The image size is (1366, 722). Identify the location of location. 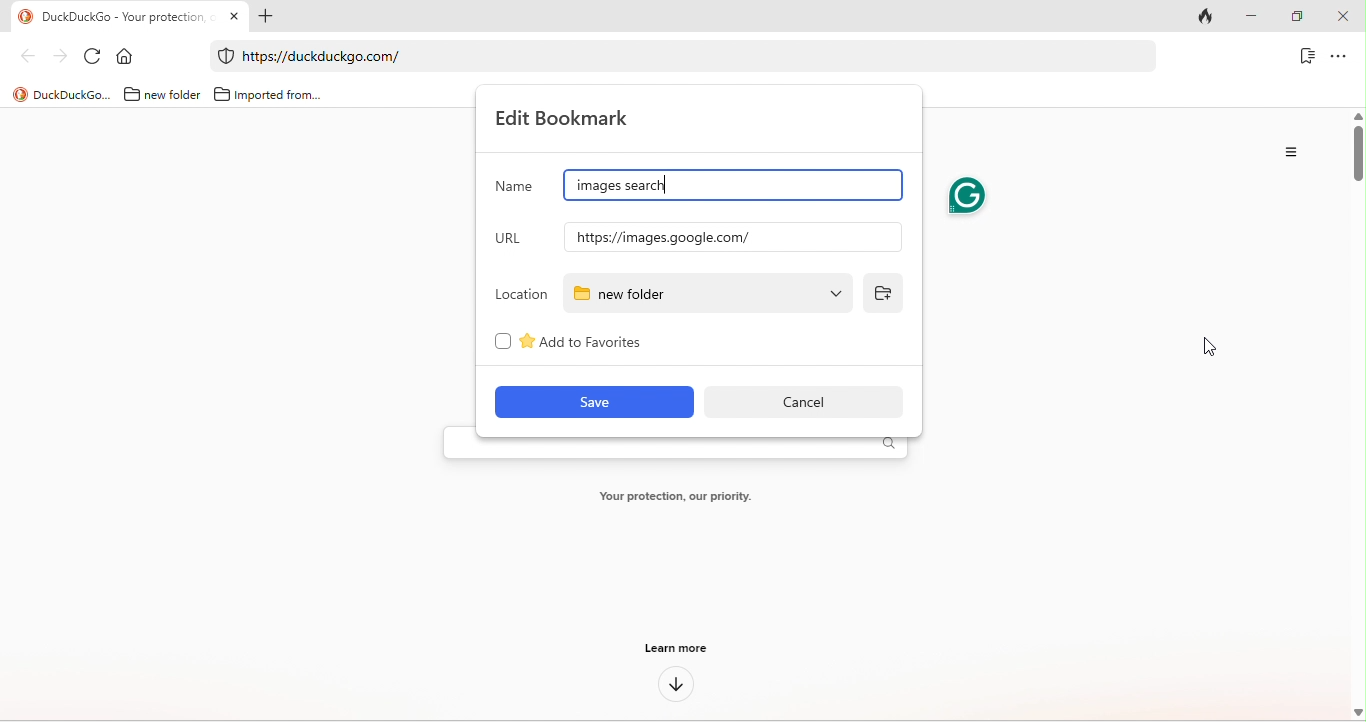
(523, 295).